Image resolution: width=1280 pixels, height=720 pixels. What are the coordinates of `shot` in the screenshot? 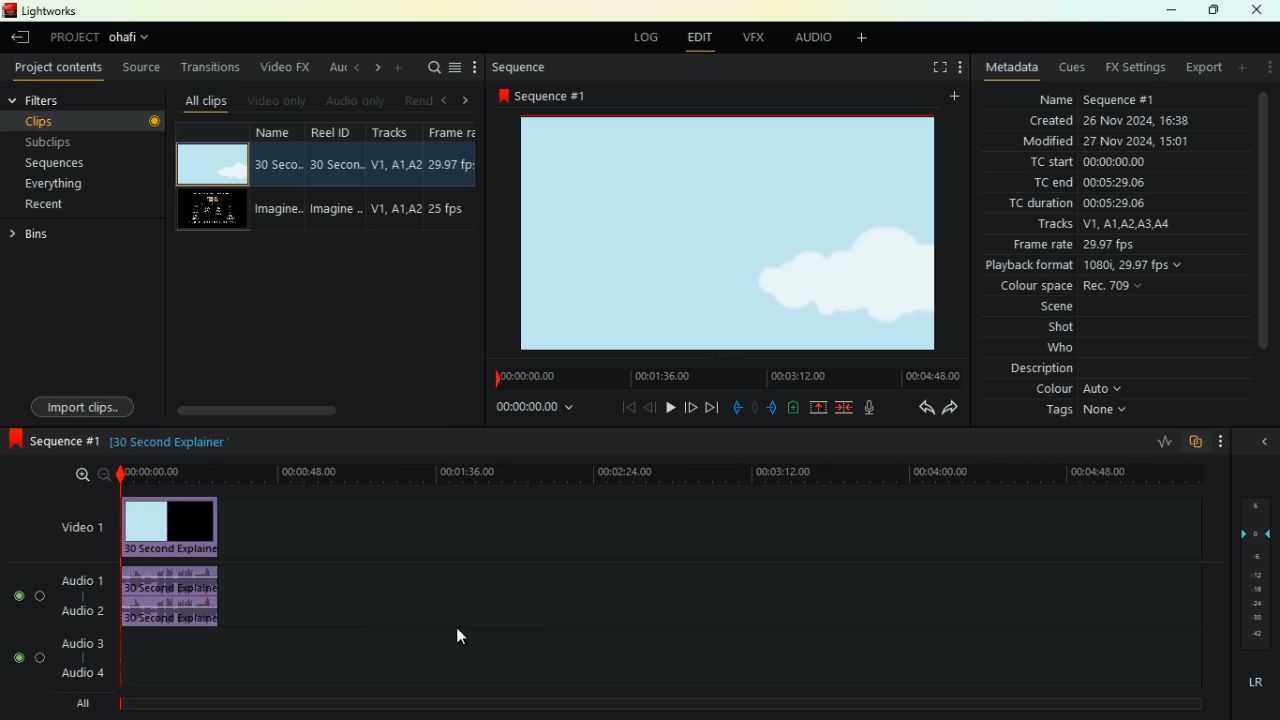 It's located at (1067, 329).